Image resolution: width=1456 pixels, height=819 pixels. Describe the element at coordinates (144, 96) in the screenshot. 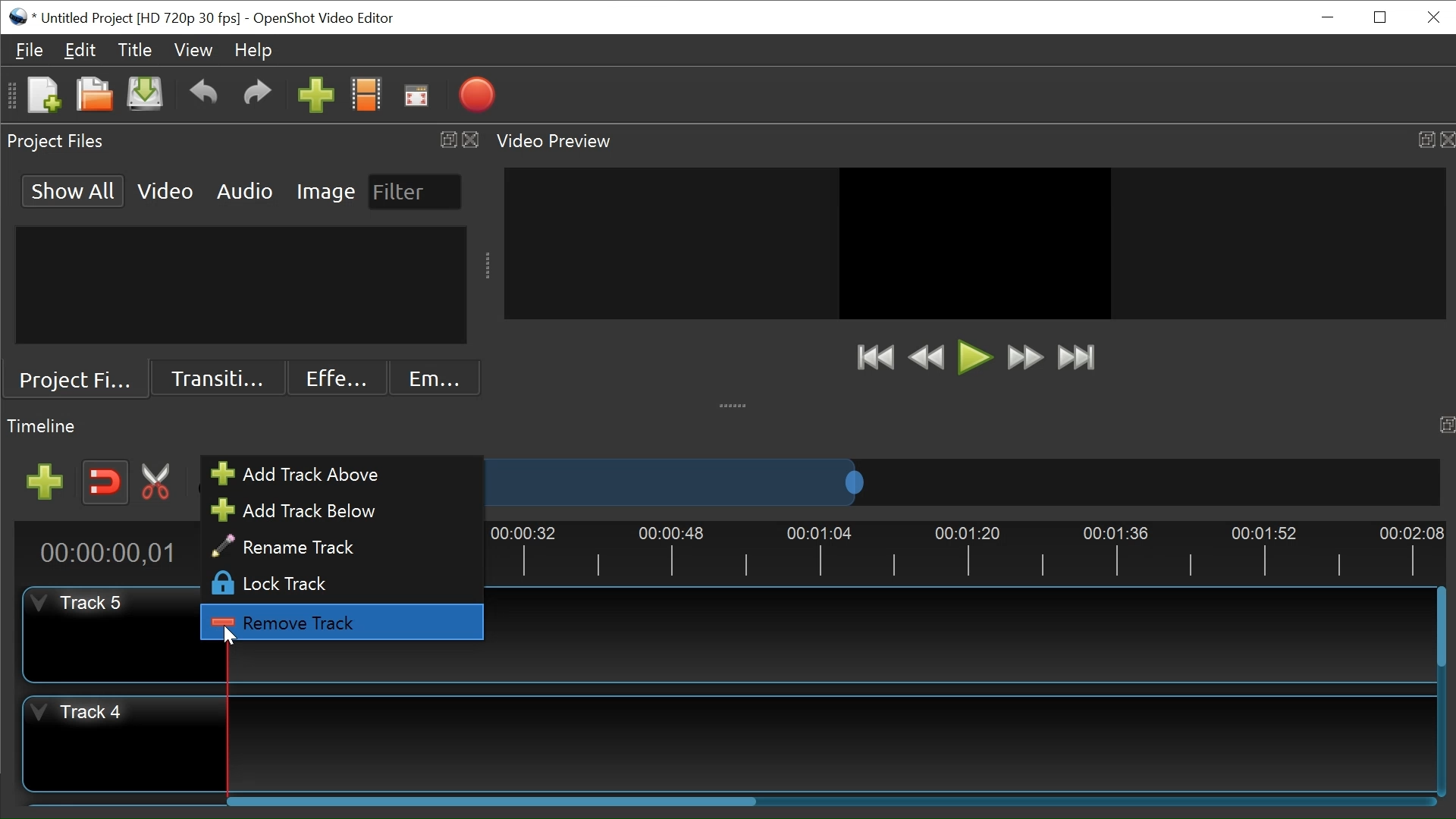

I see `Save File` at that location.